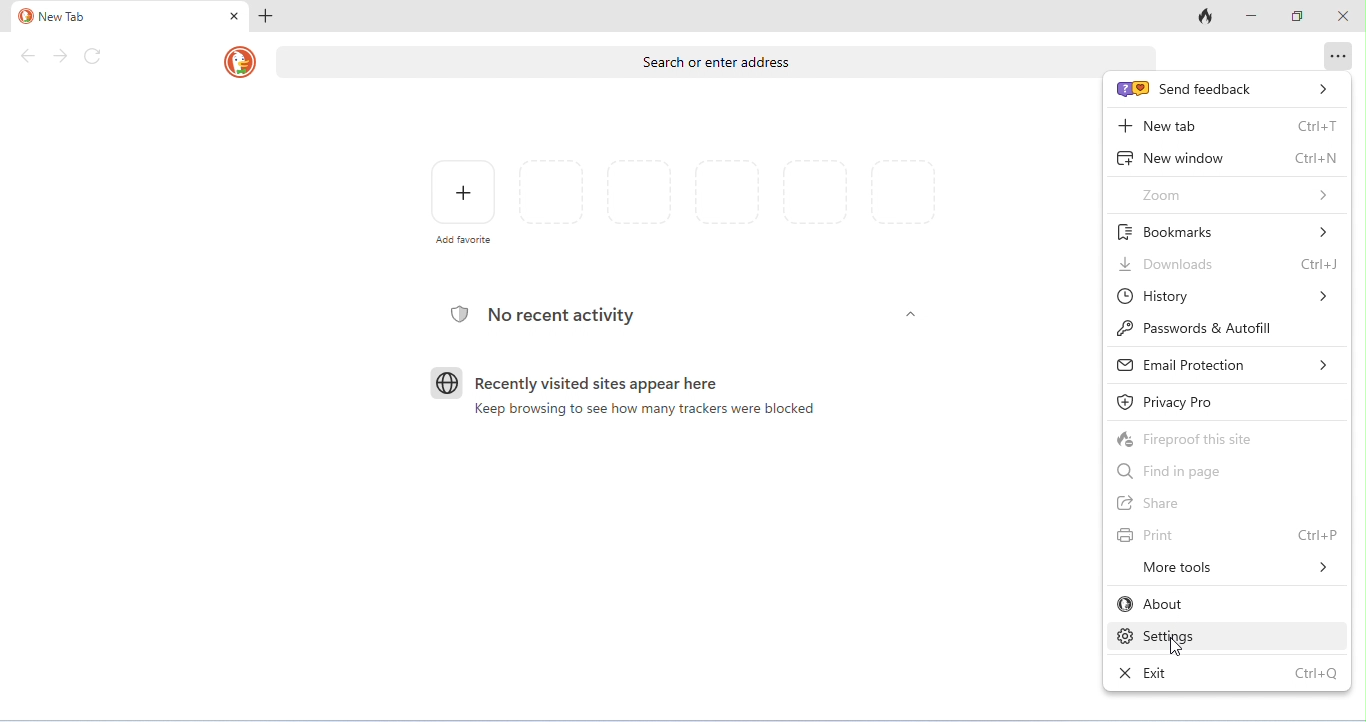  Describe the element at coordinates (685, 61) in the screenshot. I see `search or enter address` at that location.